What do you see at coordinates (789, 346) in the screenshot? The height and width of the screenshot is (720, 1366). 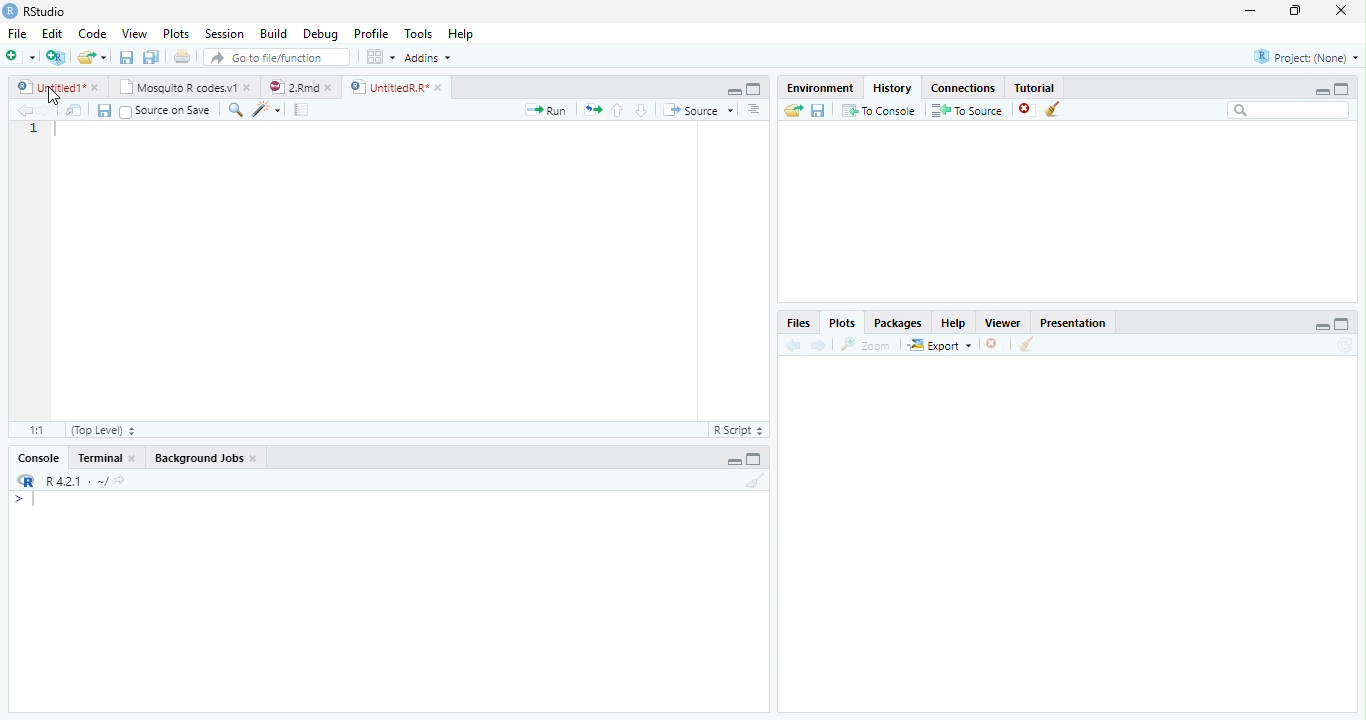 I see `Back` at bounding box center [789, 346].